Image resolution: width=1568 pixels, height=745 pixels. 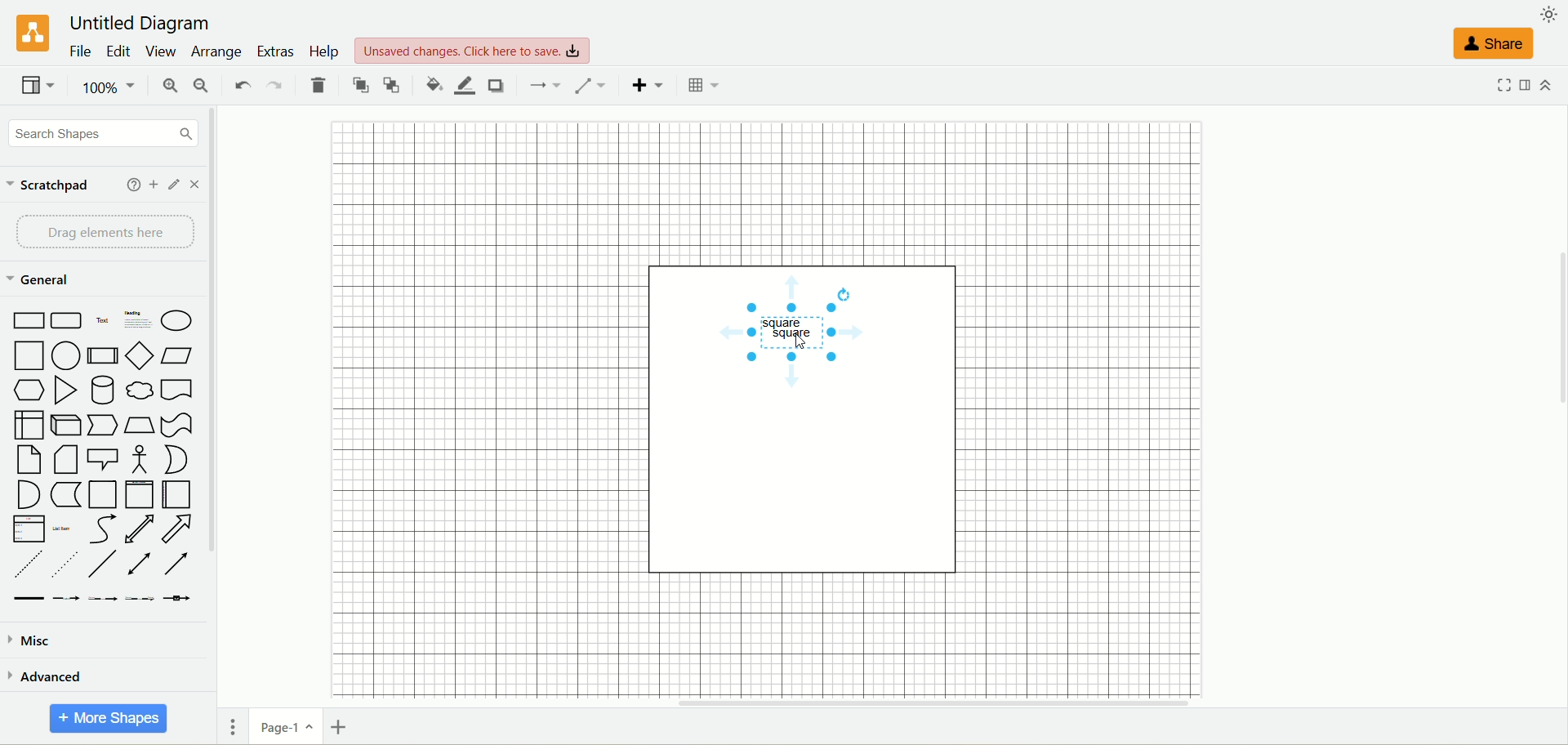 I want to click on appearance, so click(x=1548, y=15).